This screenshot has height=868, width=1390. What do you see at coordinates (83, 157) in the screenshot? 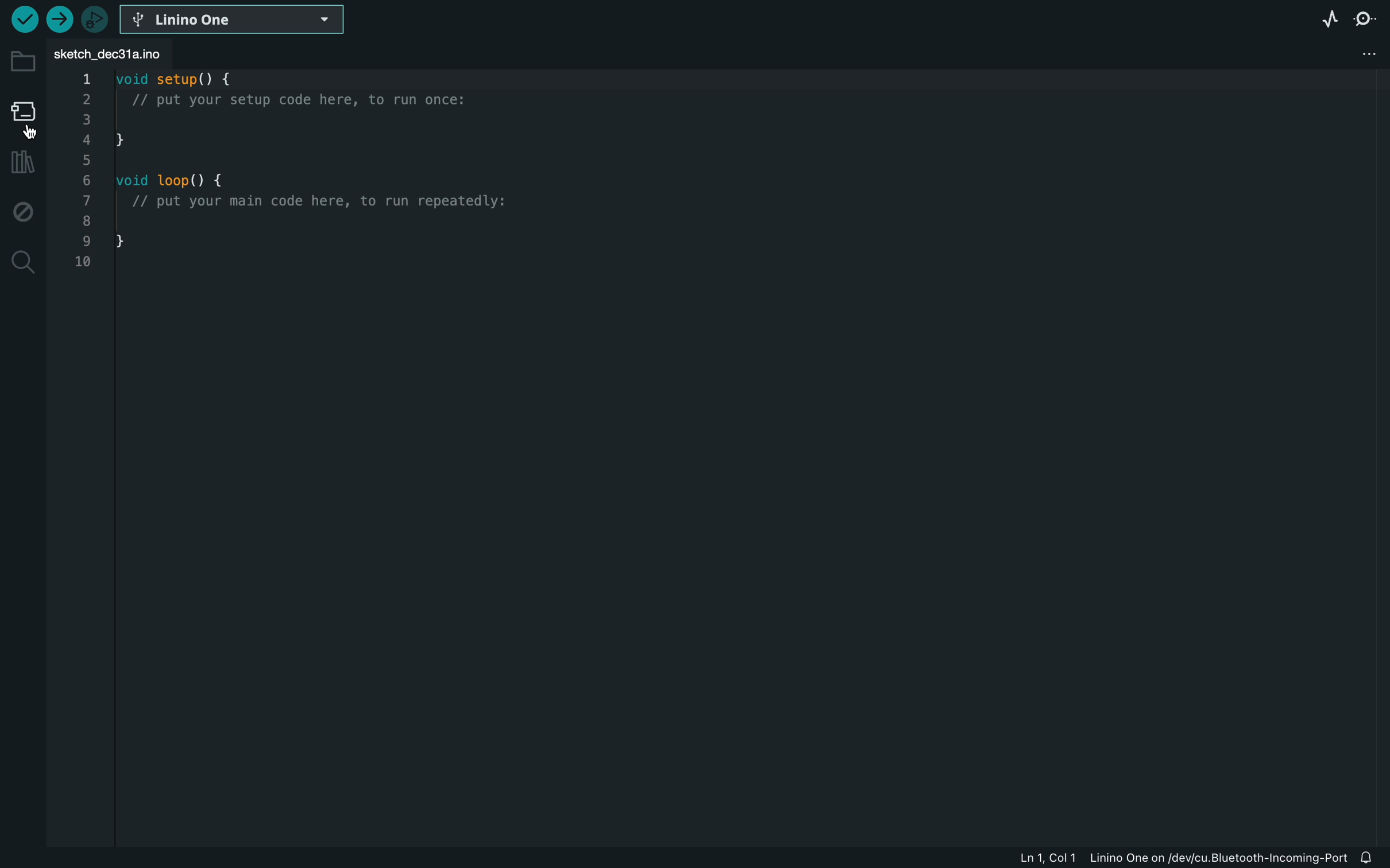
I see `5` at bounding box center [83, 157].